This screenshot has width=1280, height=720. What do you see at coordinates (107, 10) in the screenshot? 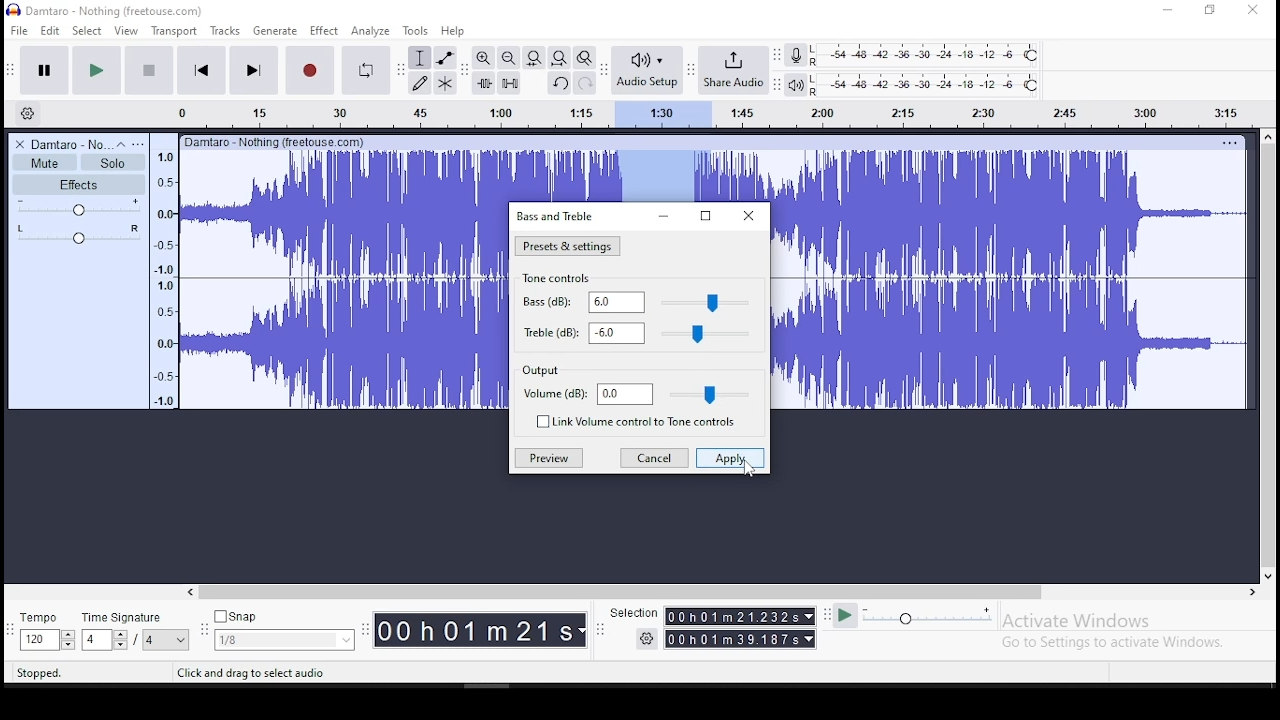
I see `) Damtaro - Nothing (freetouse.com)` at bounding box center [107, 10].